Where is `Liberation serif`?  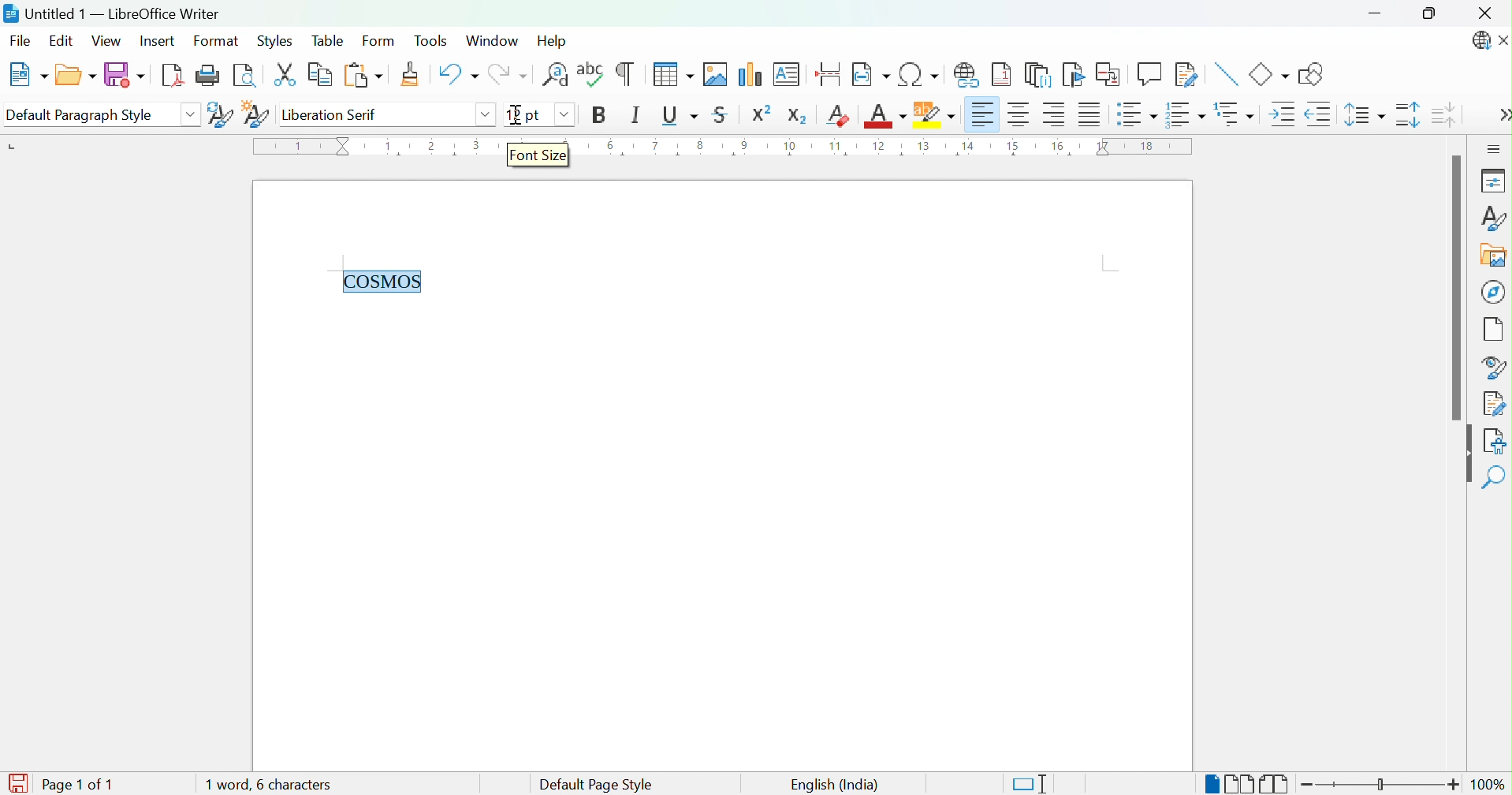
Liberation serif is located at coordinates (333, 116).